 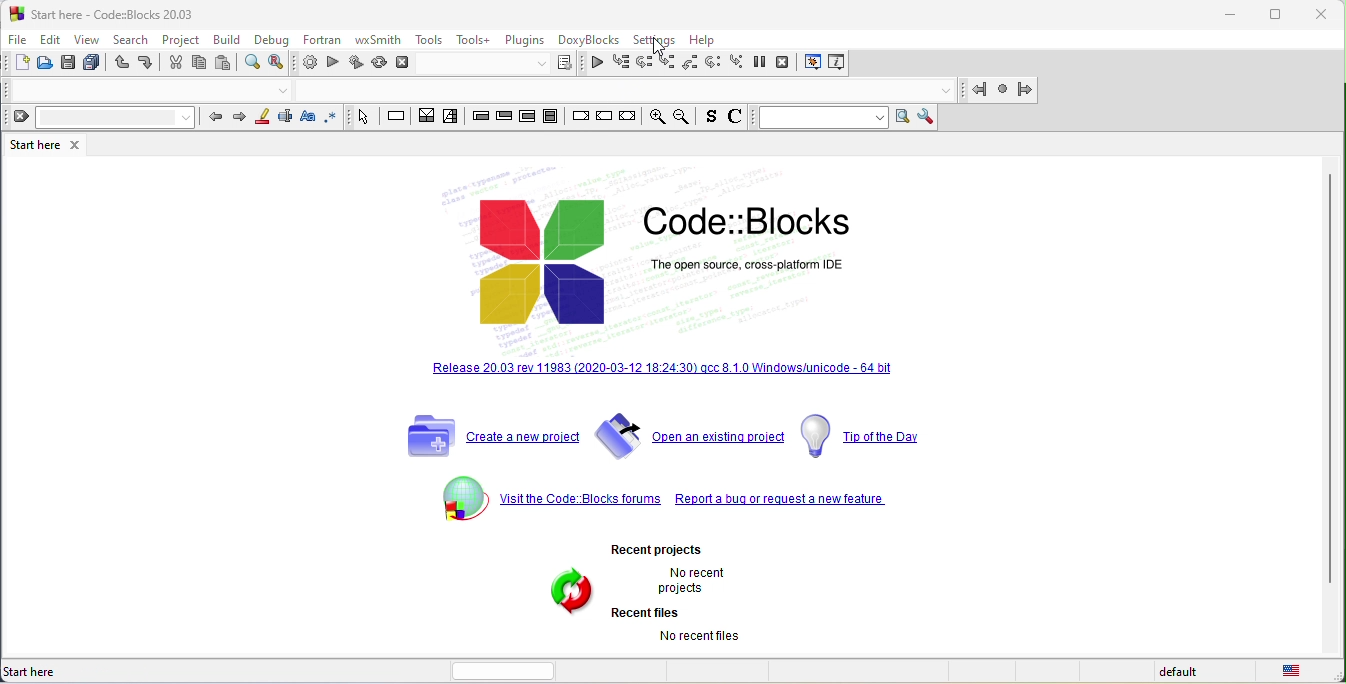 What do you see at coordinates (668, 51) in the screenshot?
I see `cursor` at bounding box center [668, 51].